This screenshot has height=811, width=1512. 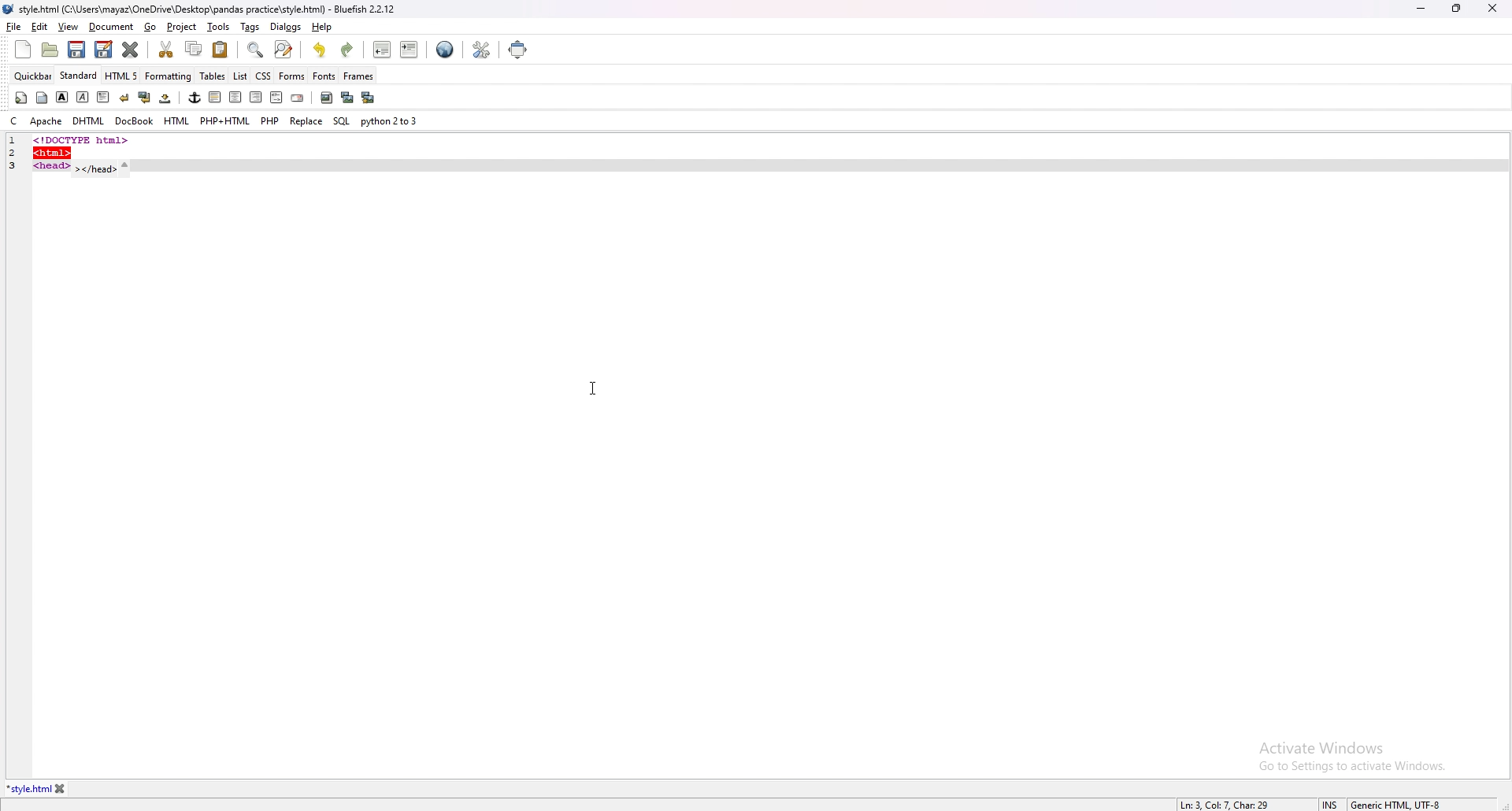 What do you see at coordinates (195, 49) in the screenshot?
I see `copy` at bounding box center [195, 49].